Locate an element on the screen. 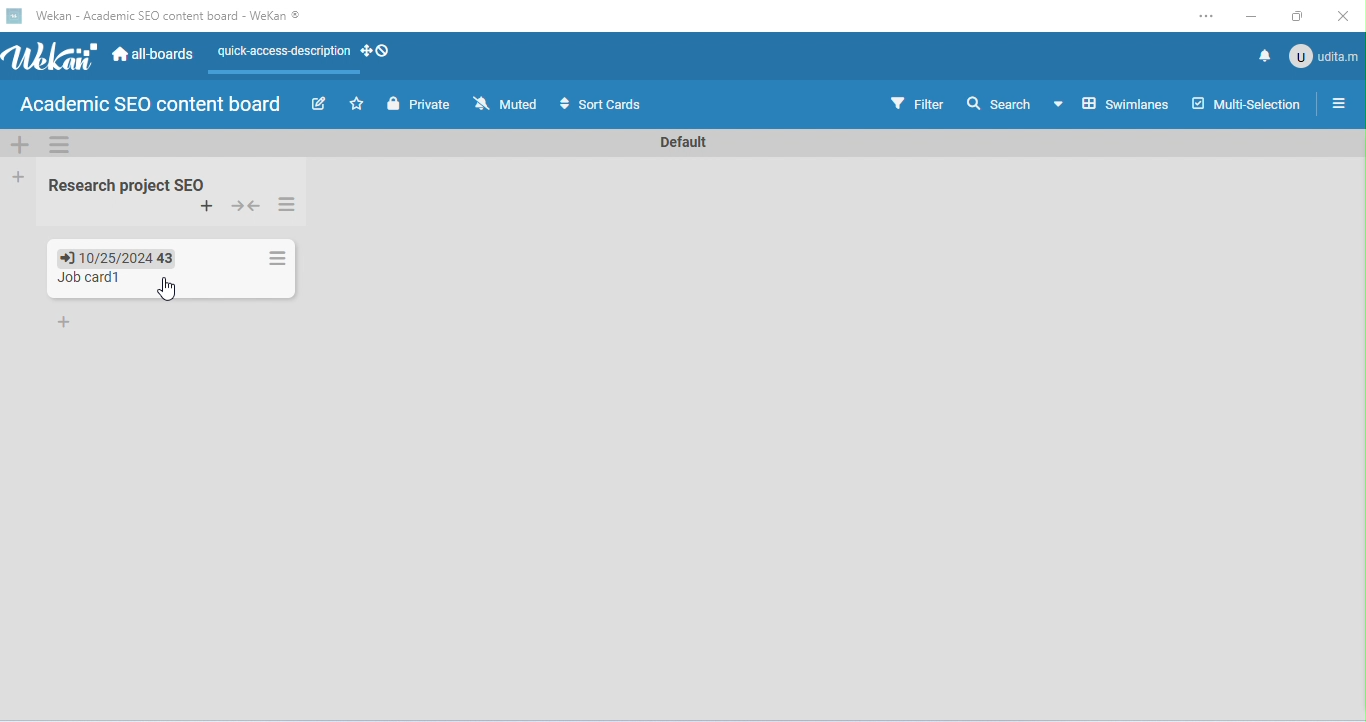  muted is located at coordinates (504, 103).